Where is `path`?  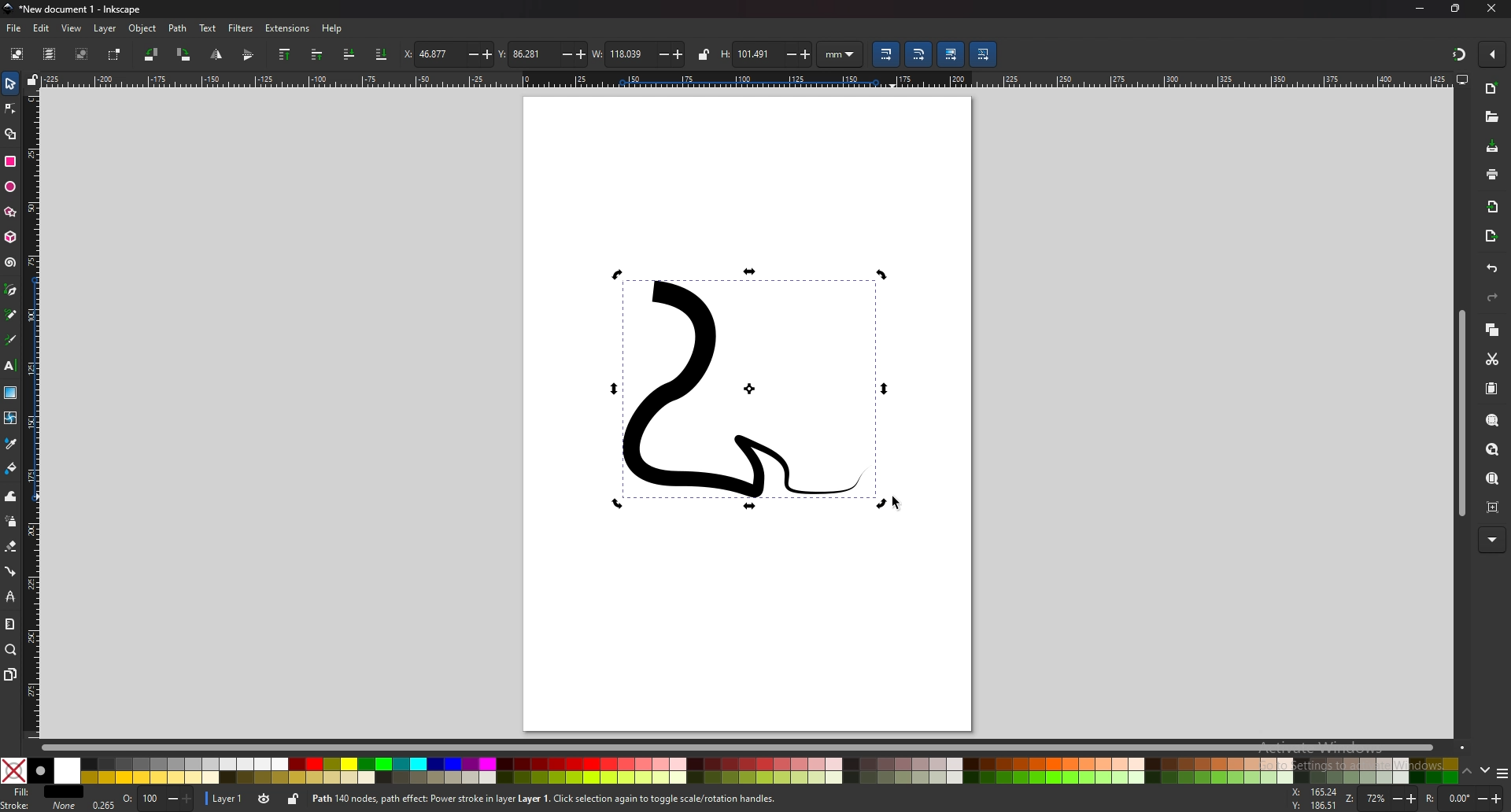 path is located at coordinates (179, 28).